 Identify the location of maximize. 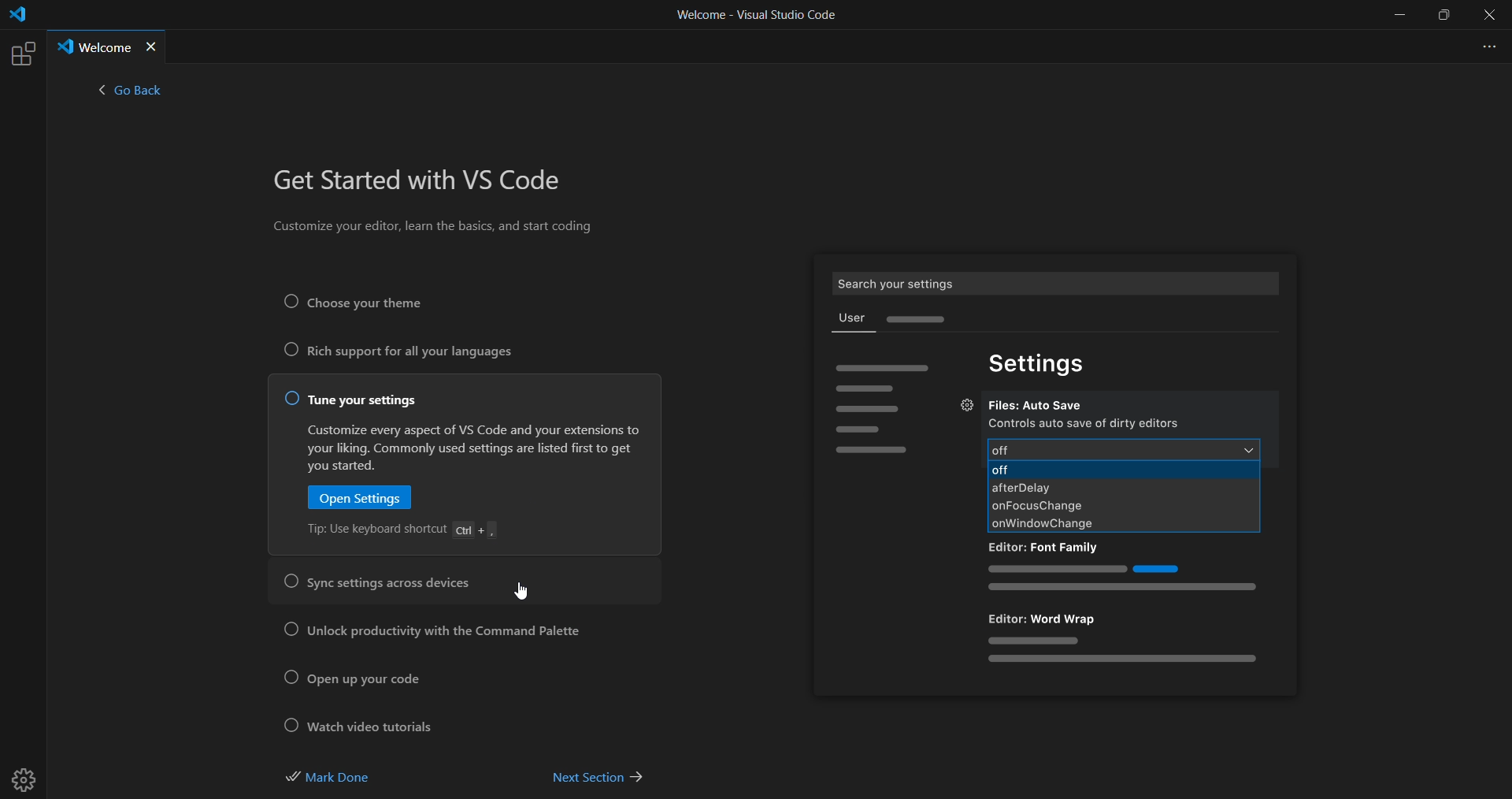
(1446, 16).